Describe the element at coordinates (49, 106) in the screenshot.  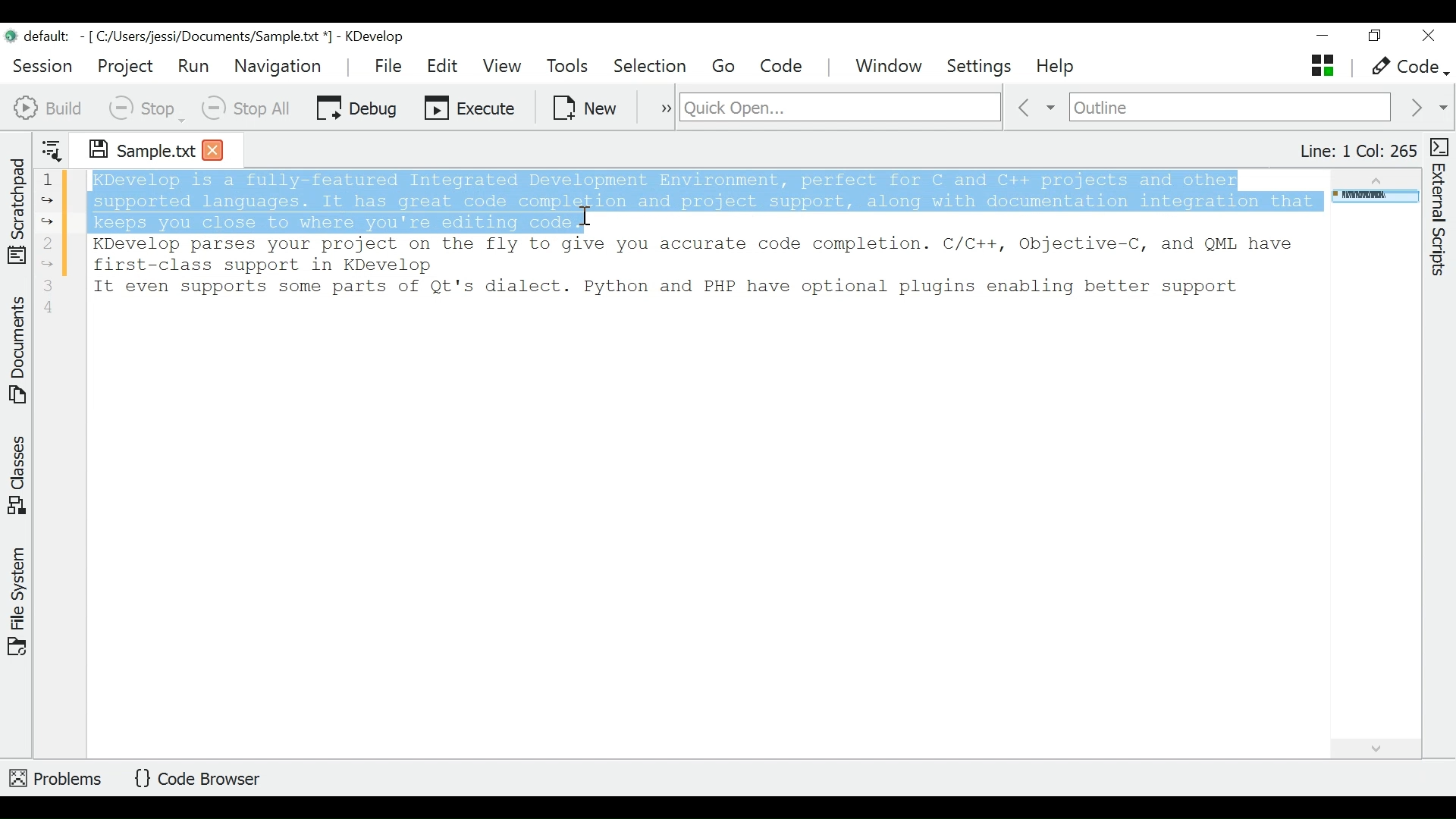
I see `Build` at that location.